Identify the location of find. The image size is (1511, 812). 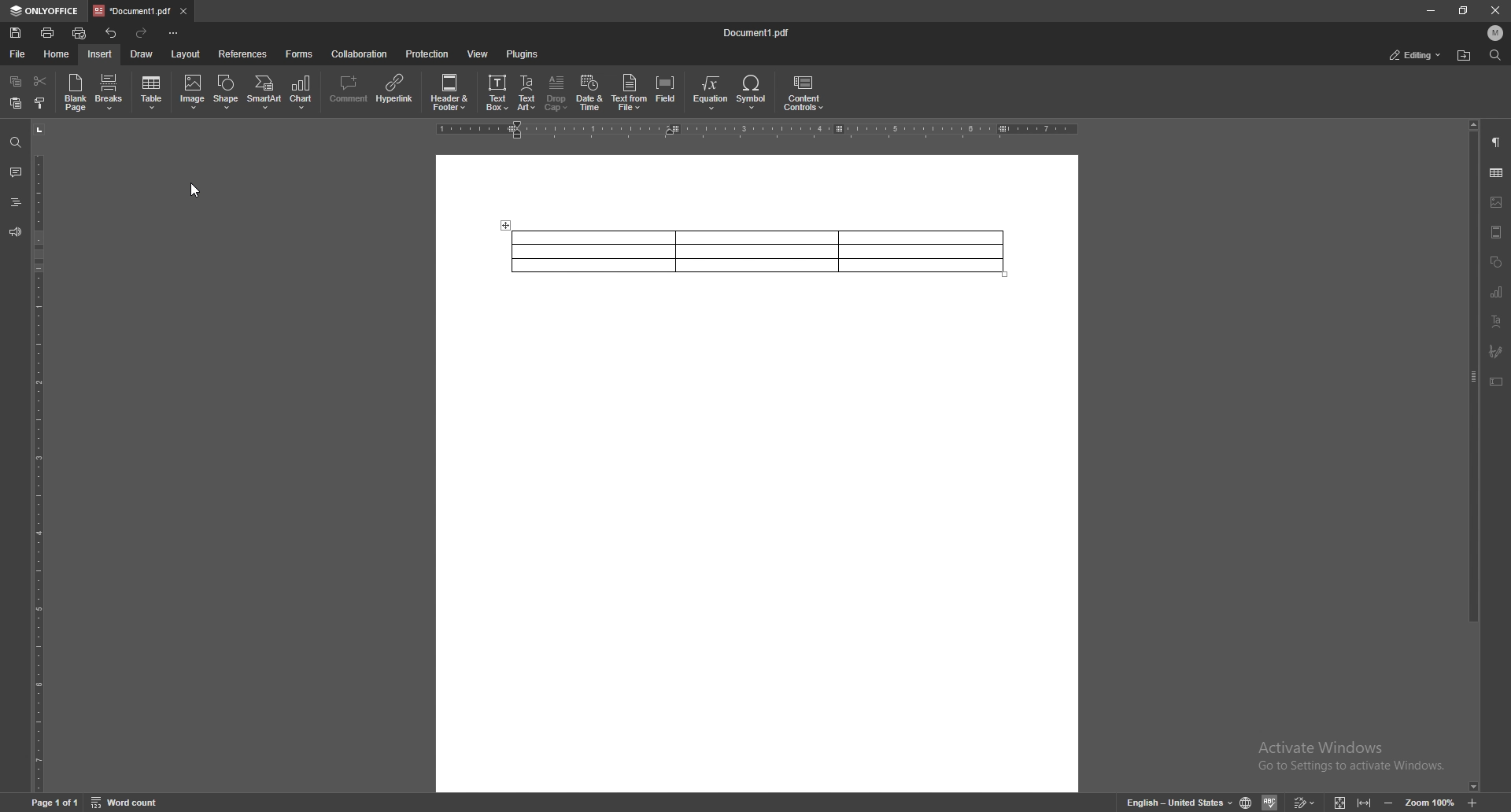
(1496, 55).